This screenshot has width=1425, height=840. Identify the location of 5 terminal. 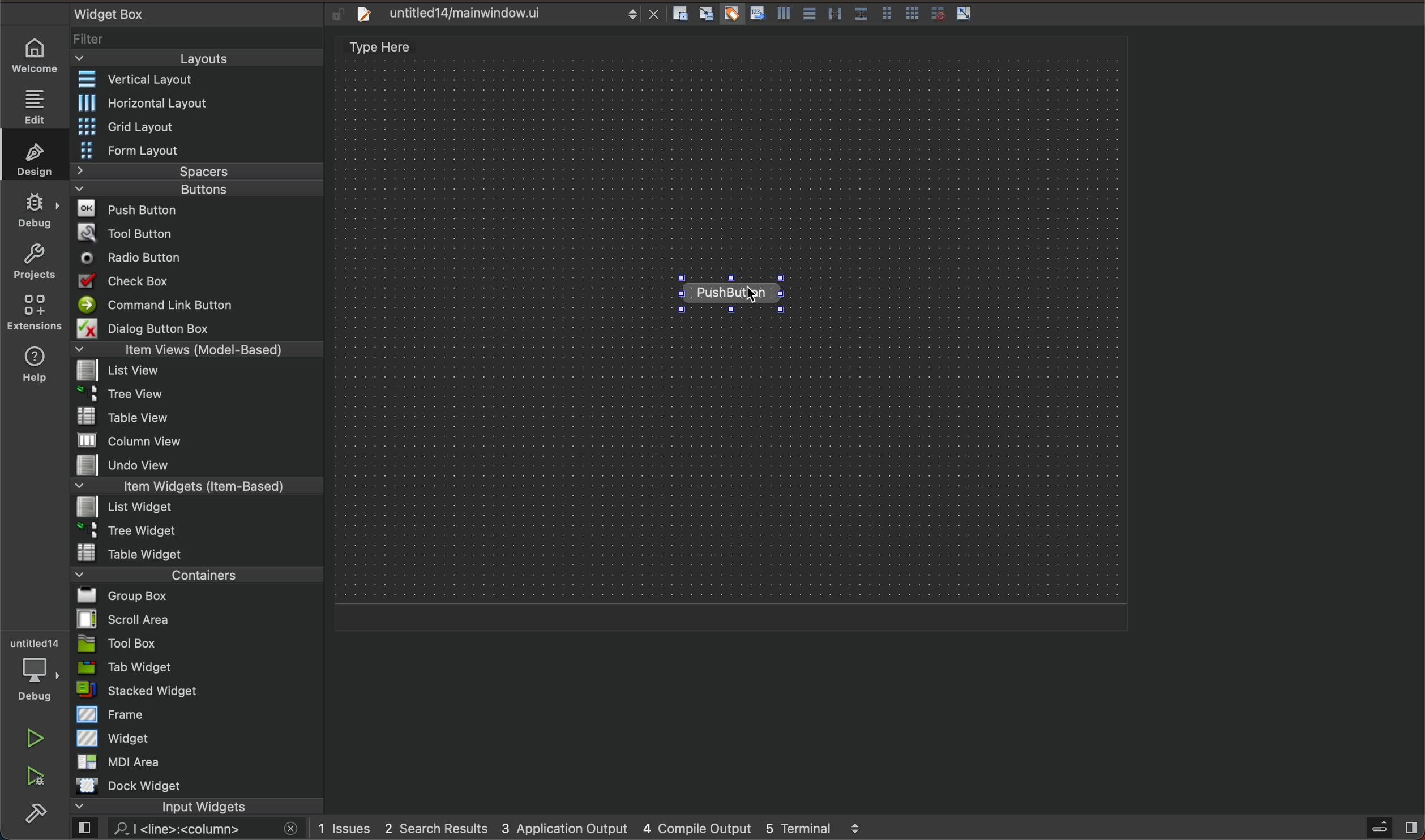
(821, 827).